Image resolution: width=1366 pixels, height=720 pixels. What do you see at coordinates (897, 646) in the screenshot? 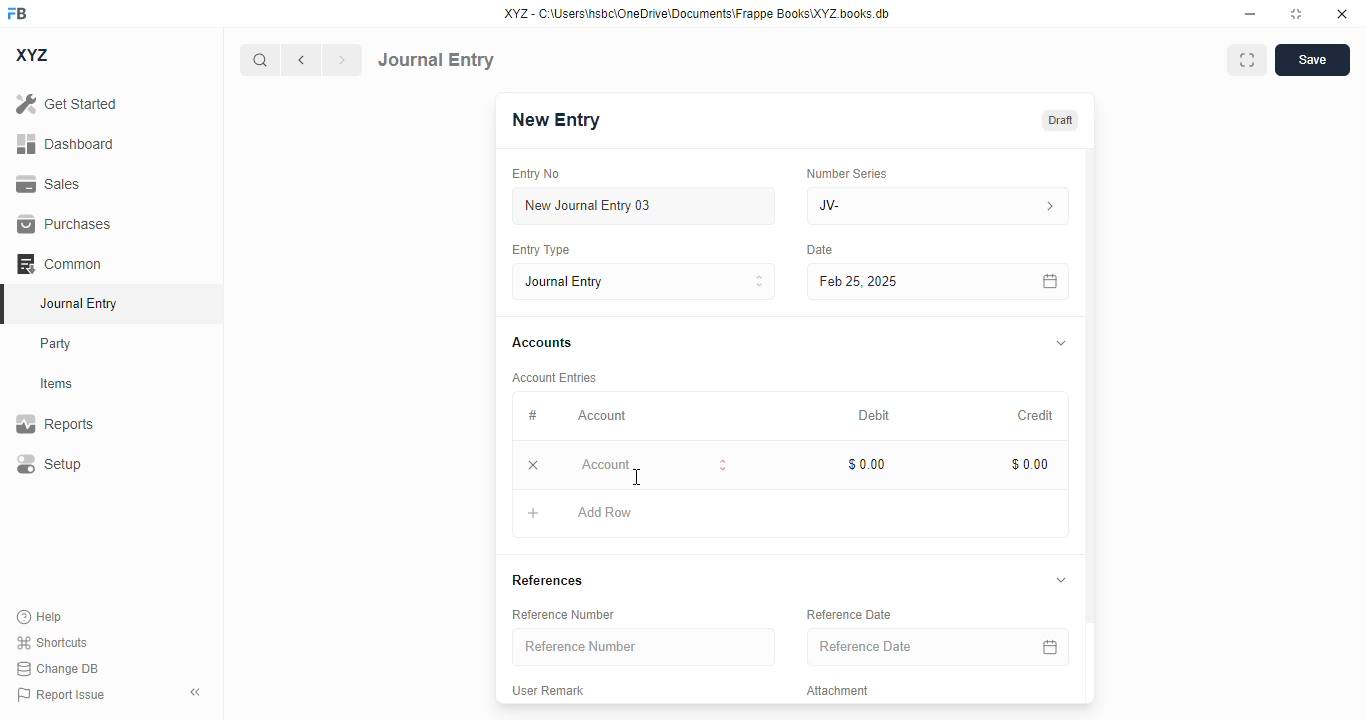
I see `reference date` at bounding box center [897, 646].